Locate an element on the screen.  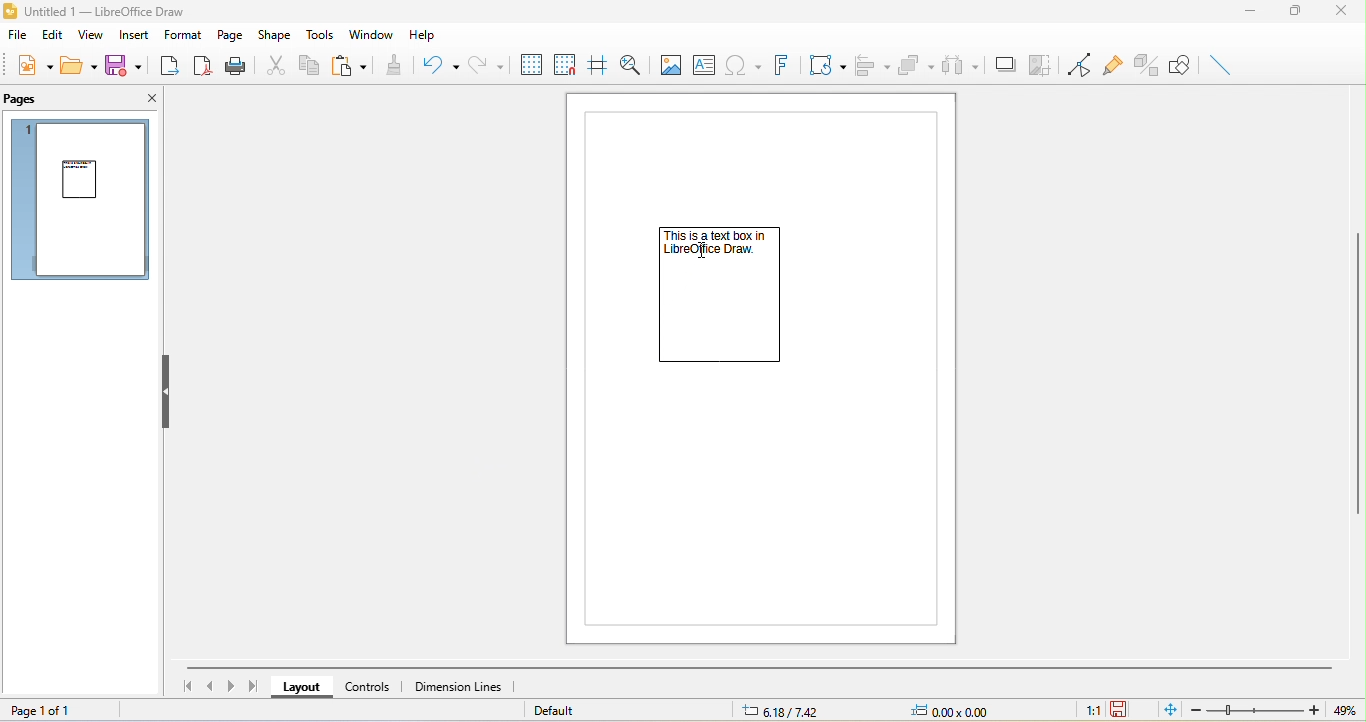
redo is located at coordinates (488, 66).